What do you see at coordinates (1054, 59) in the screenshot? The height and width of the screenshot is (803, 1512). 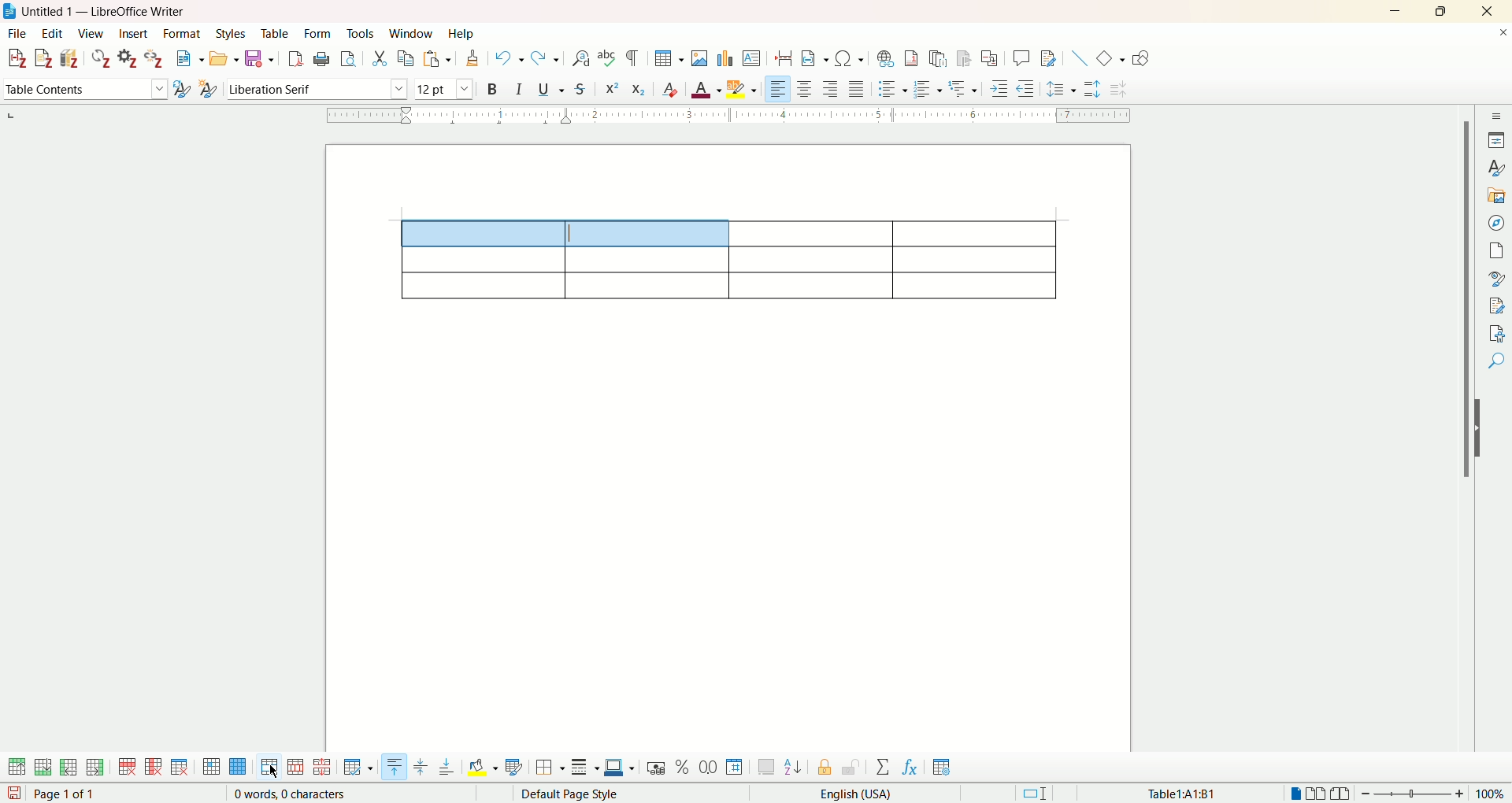 I see `show track changes` at bounding box center [1054, 59].